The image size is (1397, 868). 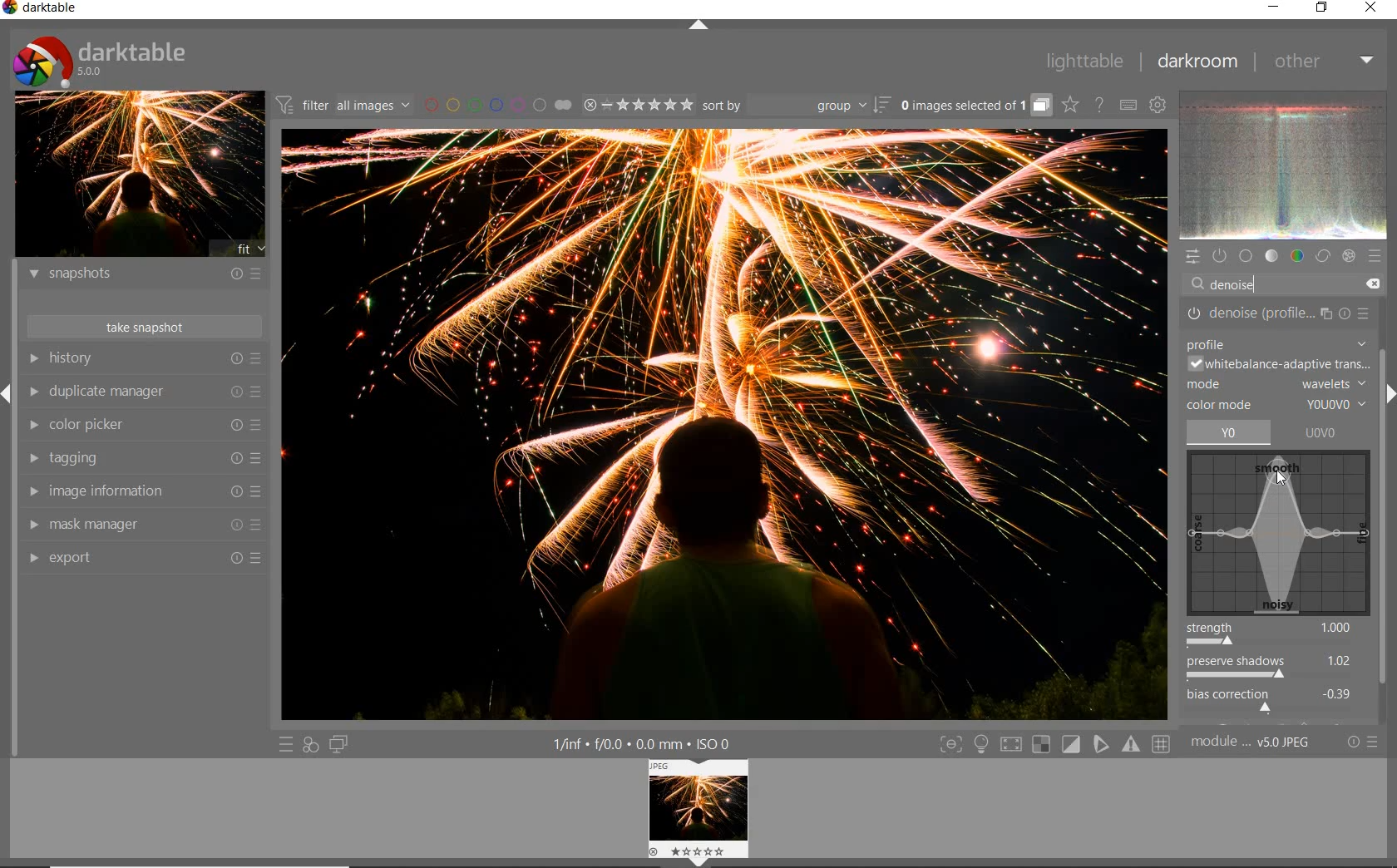 What do you see at coordinates (42, 9) in the screenshot?
I see `Darktable` at bounding box center [42, 9].